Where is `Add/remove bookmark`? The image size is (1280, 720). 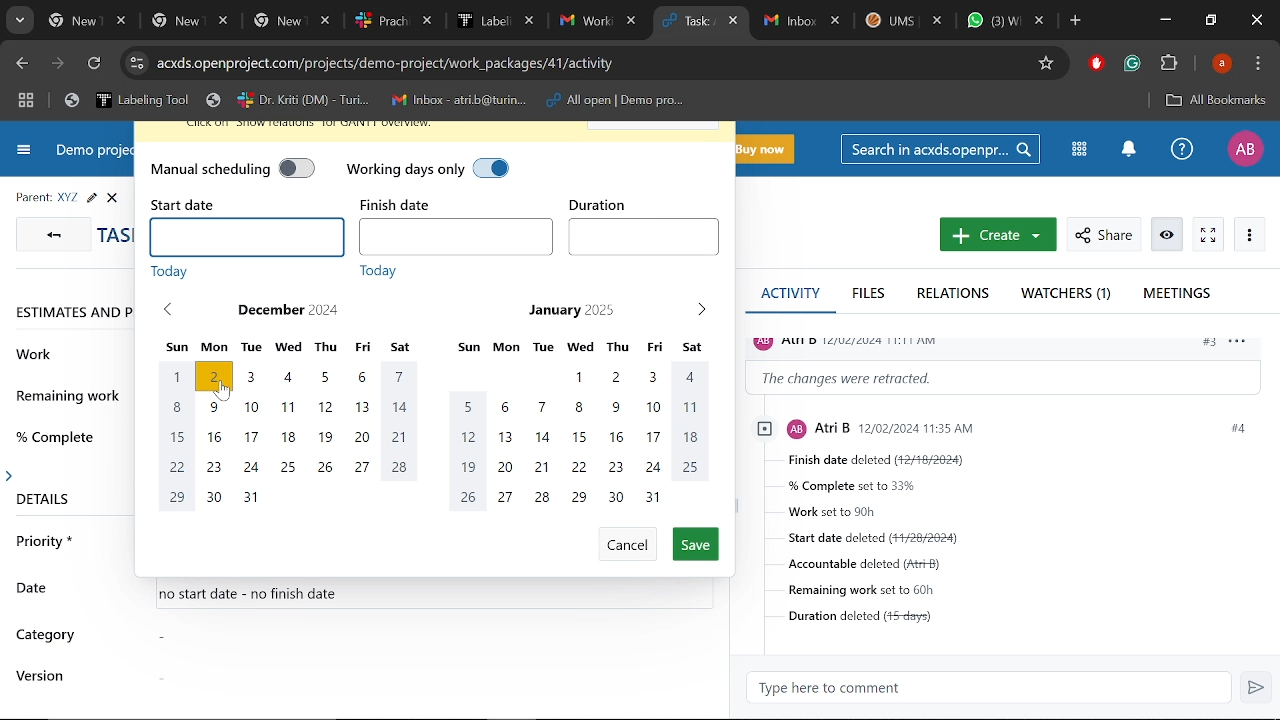
Add/remove bookmark is located at coordinates (1045, 64).